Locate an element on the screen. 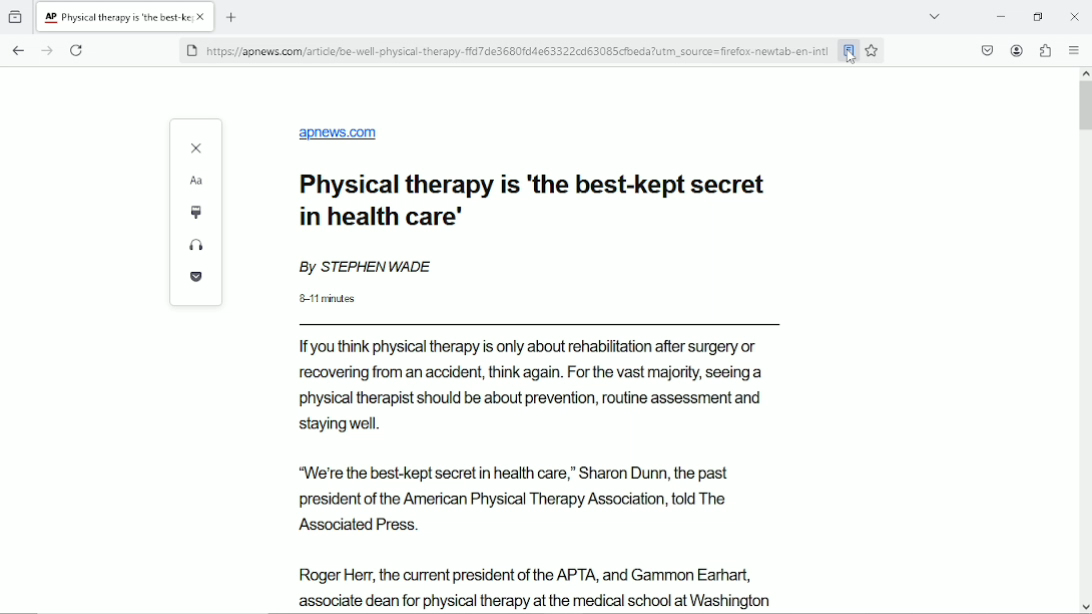 This screenshot has width=1092, height=614. open application menu is located at coordinates (1074, 49).